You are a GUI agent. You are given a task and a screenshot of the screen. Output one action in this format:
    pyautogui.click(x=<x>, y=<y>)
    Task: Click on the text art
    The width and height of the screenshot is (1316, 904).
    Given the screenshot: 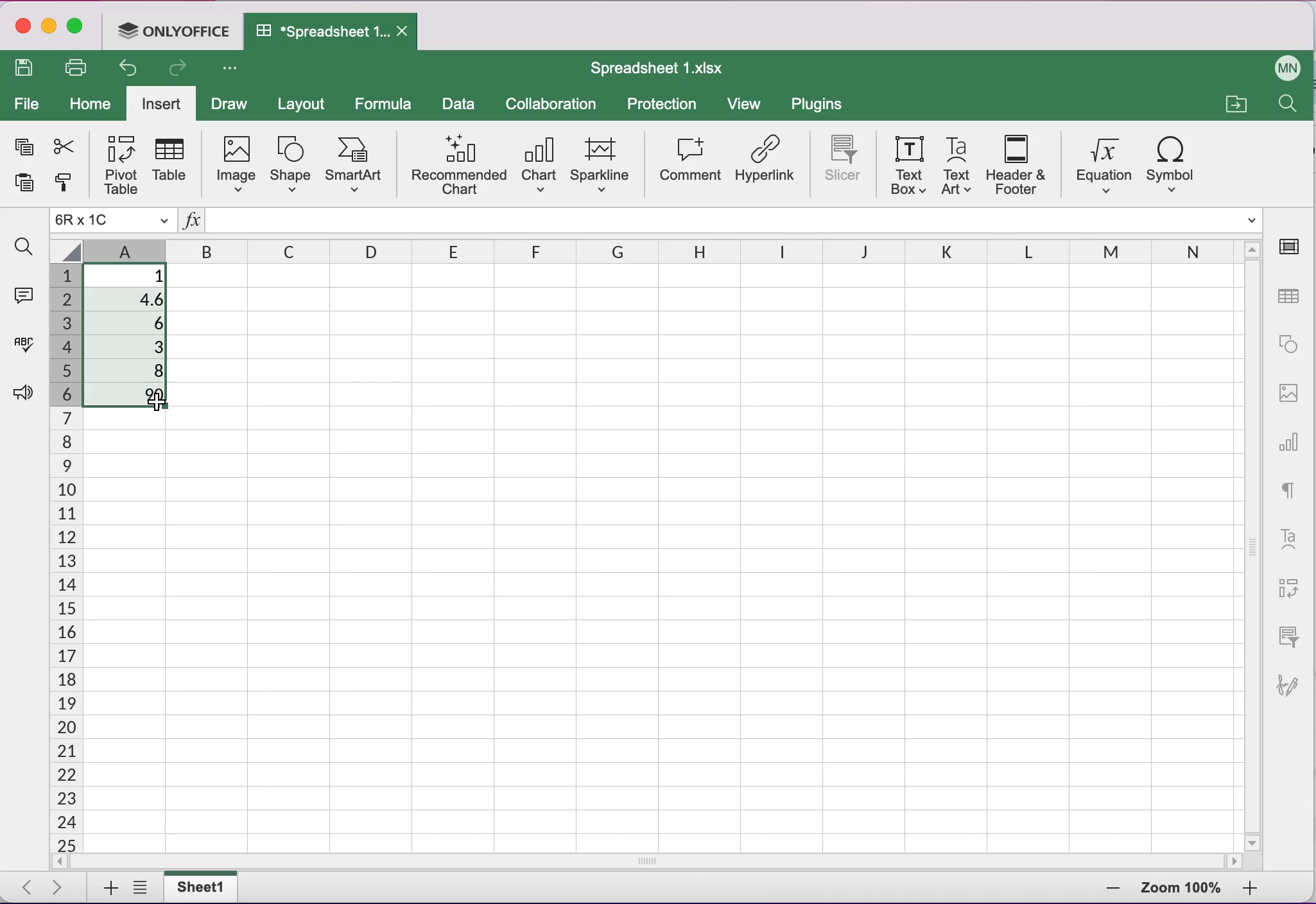 What is the action you would take?
    pyautogui.click(x=956, y=166)
    